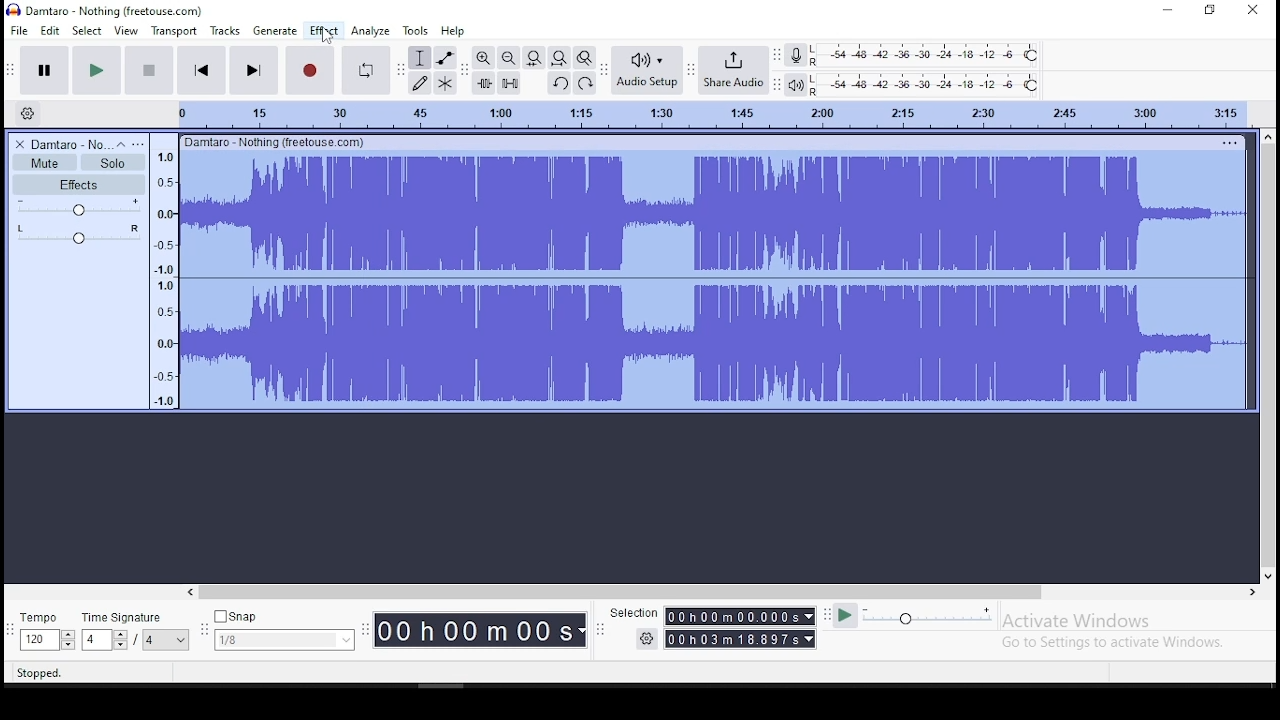  Describe the element at coordinates (1231, 140) in the screenshot. I see `` at that location.